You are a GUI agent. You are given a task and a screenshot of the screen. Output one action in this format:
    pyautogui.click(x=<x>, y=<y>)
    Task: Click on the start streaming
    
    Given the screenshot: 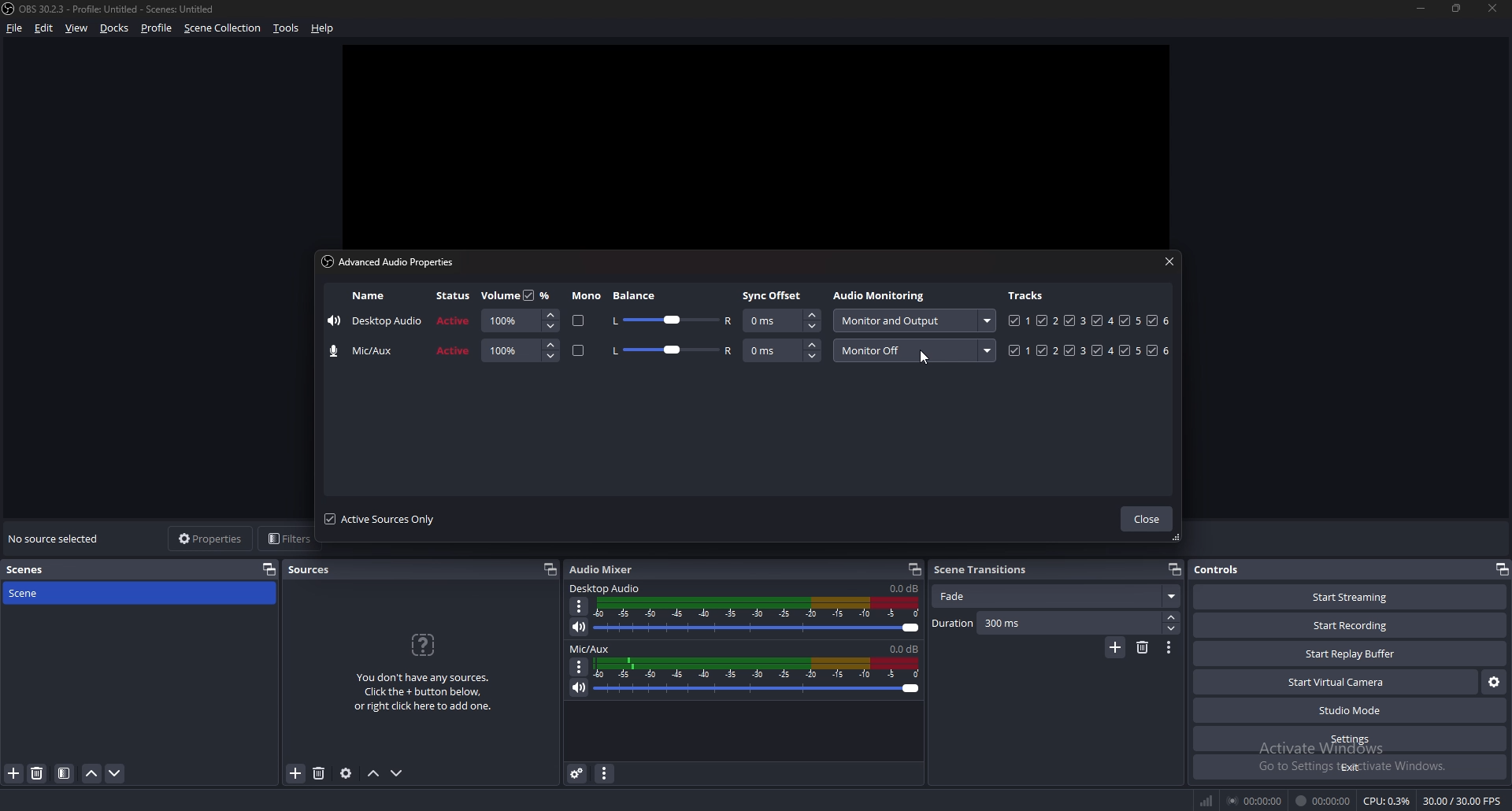 What is the action you would take?
    pyautogui.click(x=1349, y=597)
    